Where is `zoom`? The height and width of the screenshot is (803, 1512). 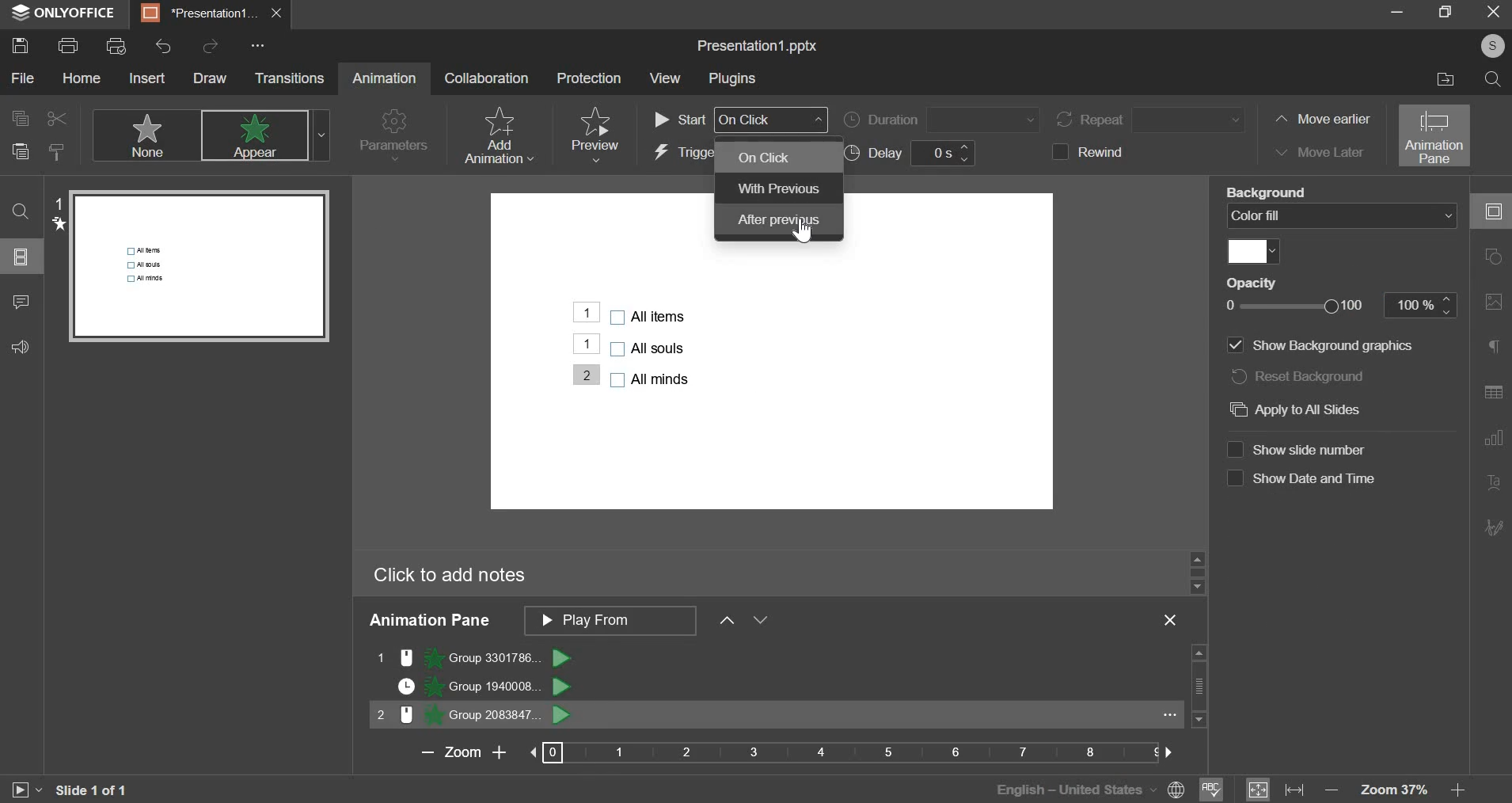
zoom is located at coordinates (785, 752).